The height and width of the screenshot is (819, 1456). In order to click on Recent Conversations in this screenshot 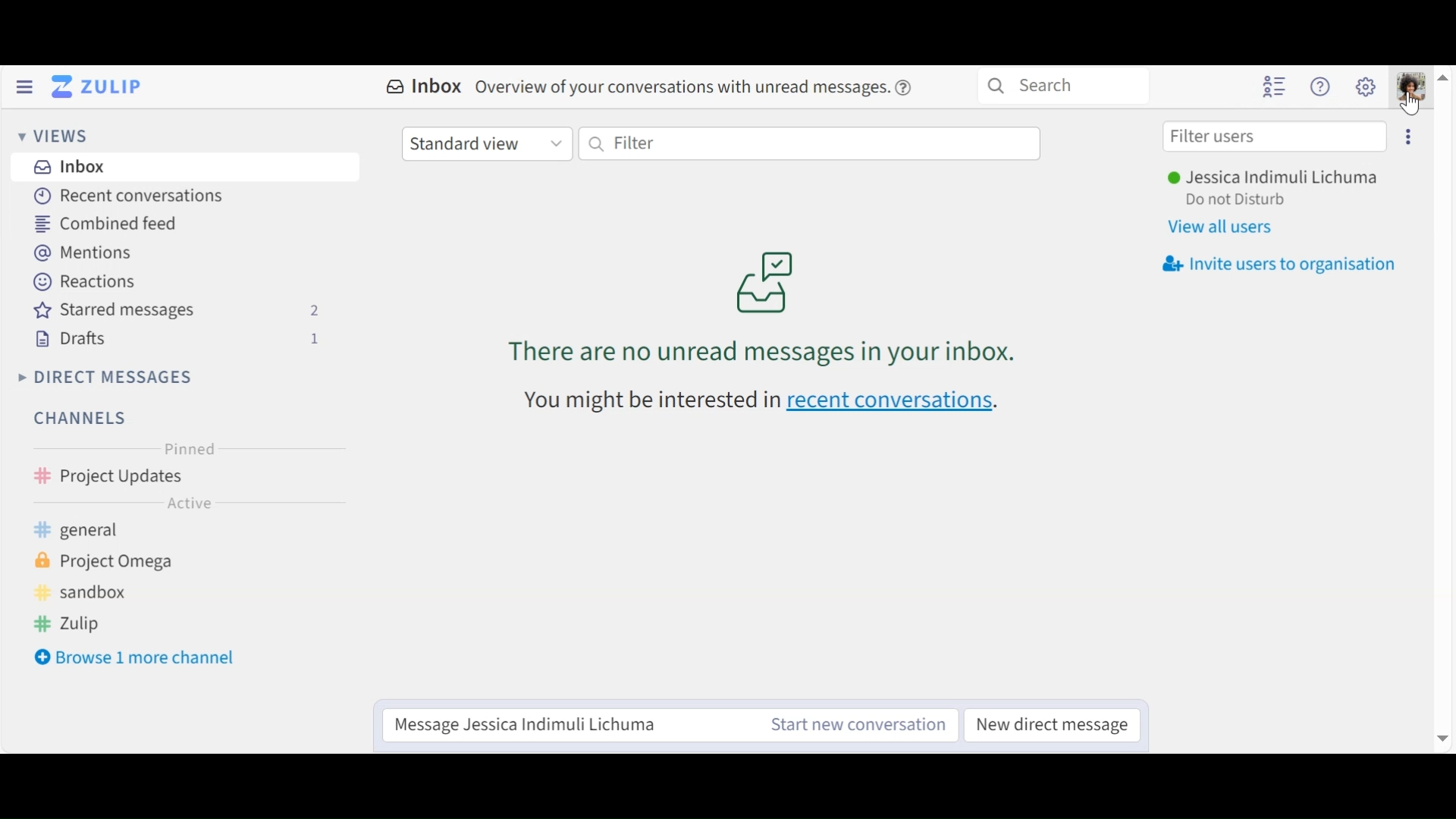, I will do `click(133, 196)`.